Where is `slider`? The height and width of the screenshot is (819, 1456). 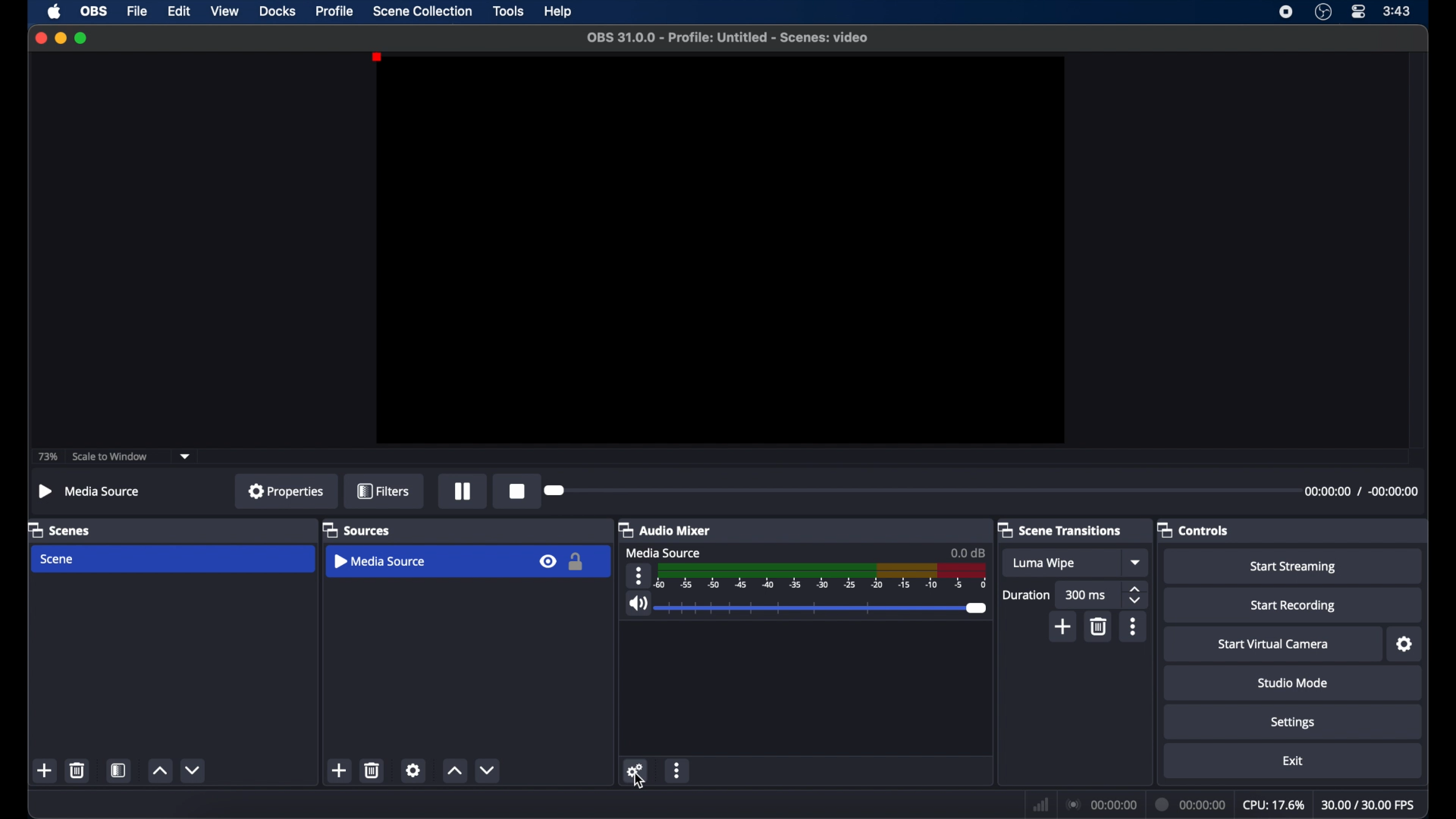 slider is located at coordinates (555, 491).